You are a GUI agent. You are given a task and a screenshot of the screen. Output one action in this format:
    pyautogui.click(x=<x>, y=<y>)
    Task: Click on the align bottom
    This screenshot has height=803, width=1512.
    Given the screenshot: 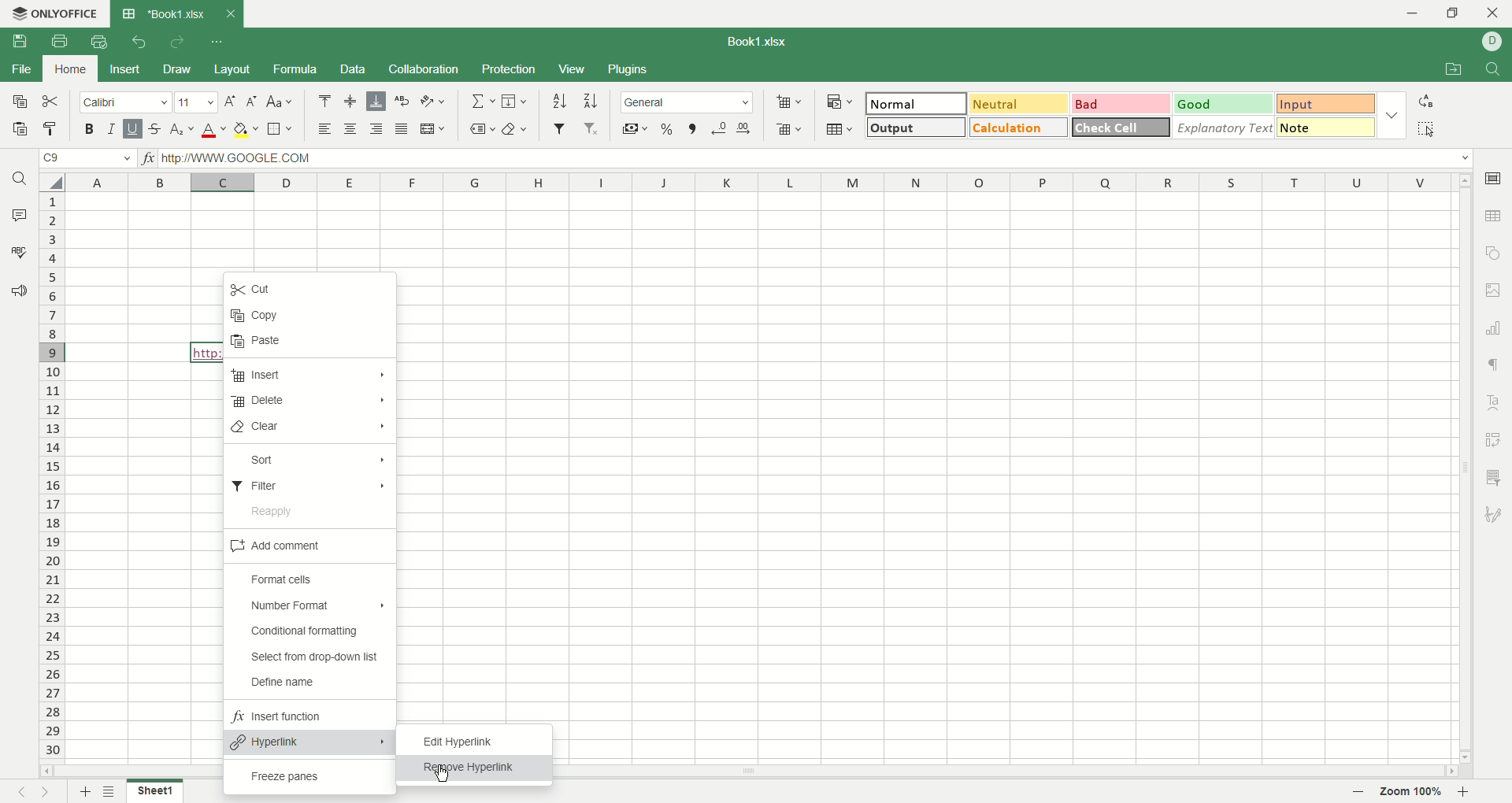 What is the action you would take?
    pyautogui.click(x=376, y=101)
    